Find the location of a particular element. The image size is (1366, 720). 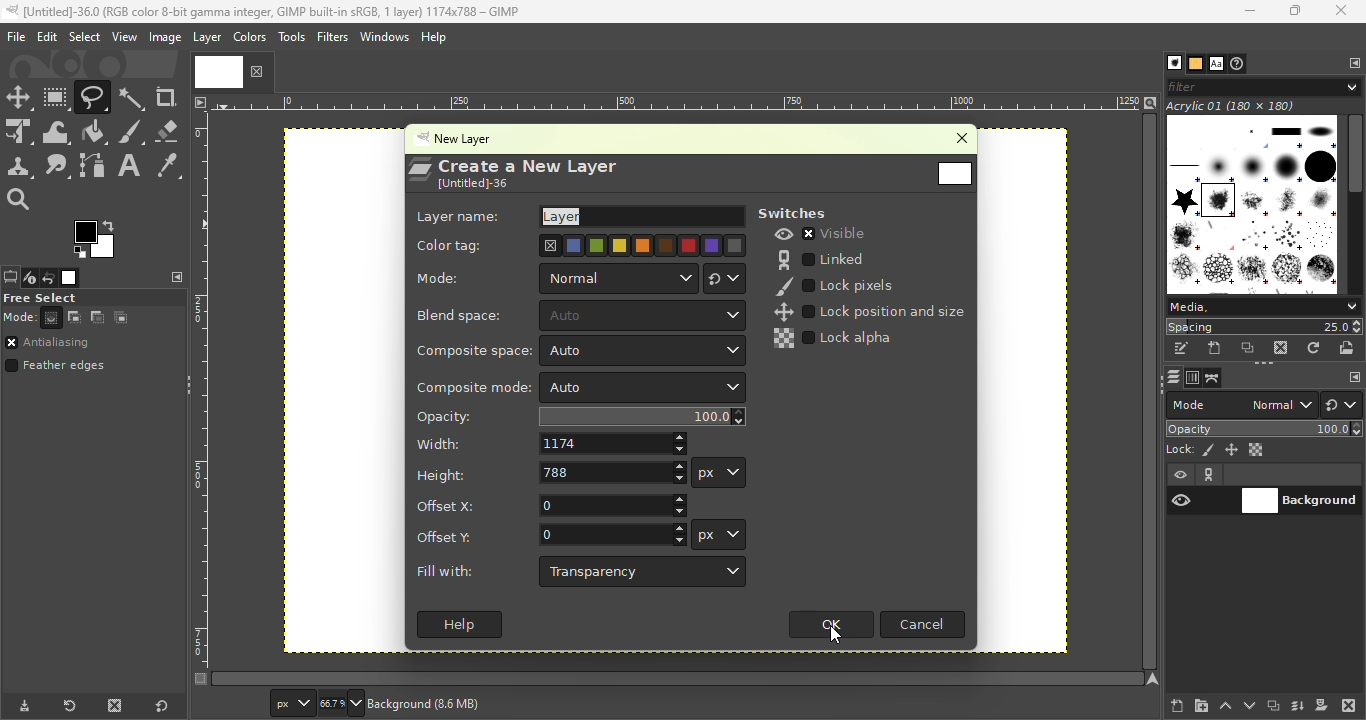

Paint is located at coordinates (95, 133).